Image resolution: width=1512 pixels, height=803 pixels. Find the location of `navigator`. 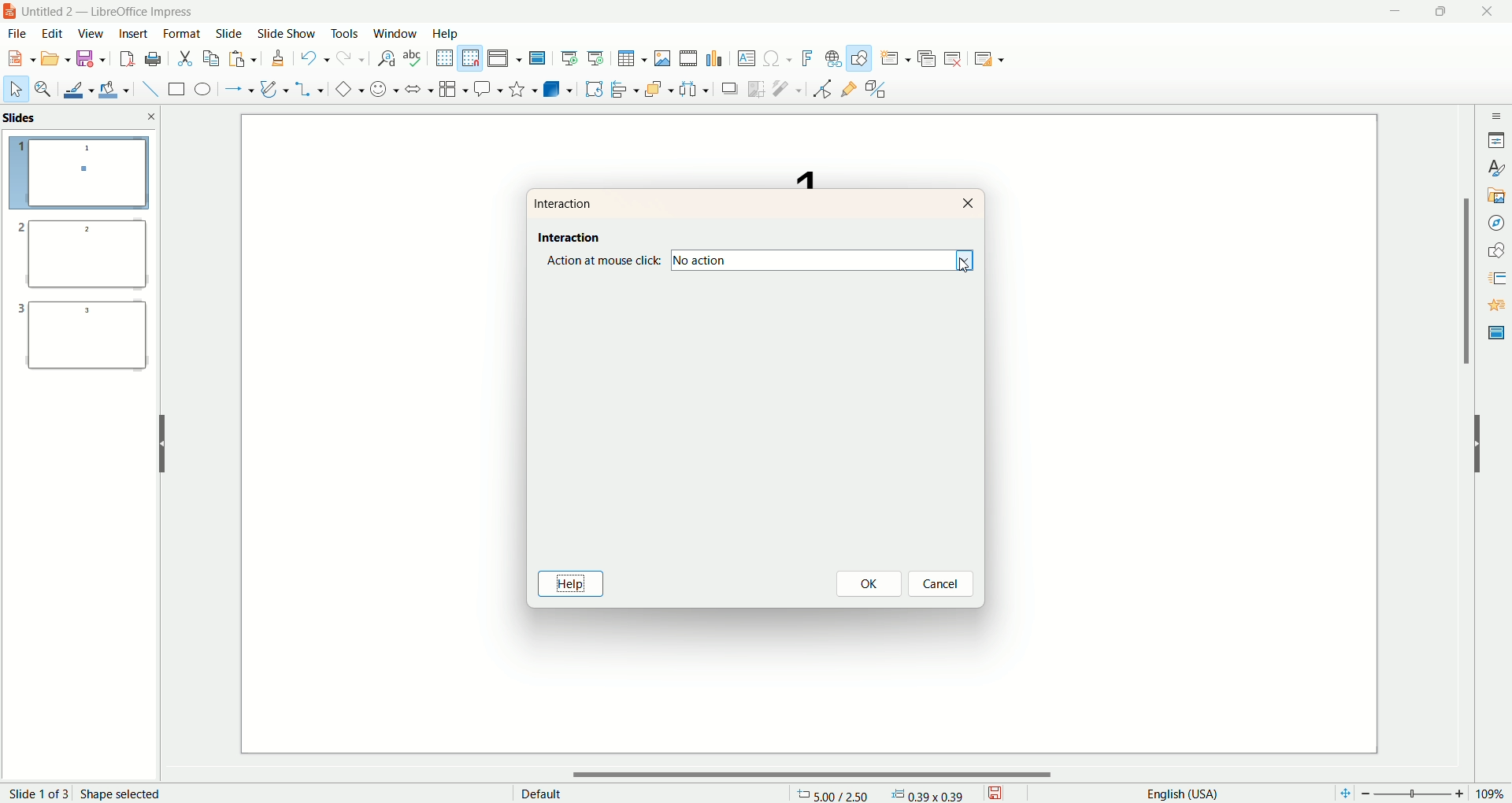

navigator is located at coordinates (1495, 223).